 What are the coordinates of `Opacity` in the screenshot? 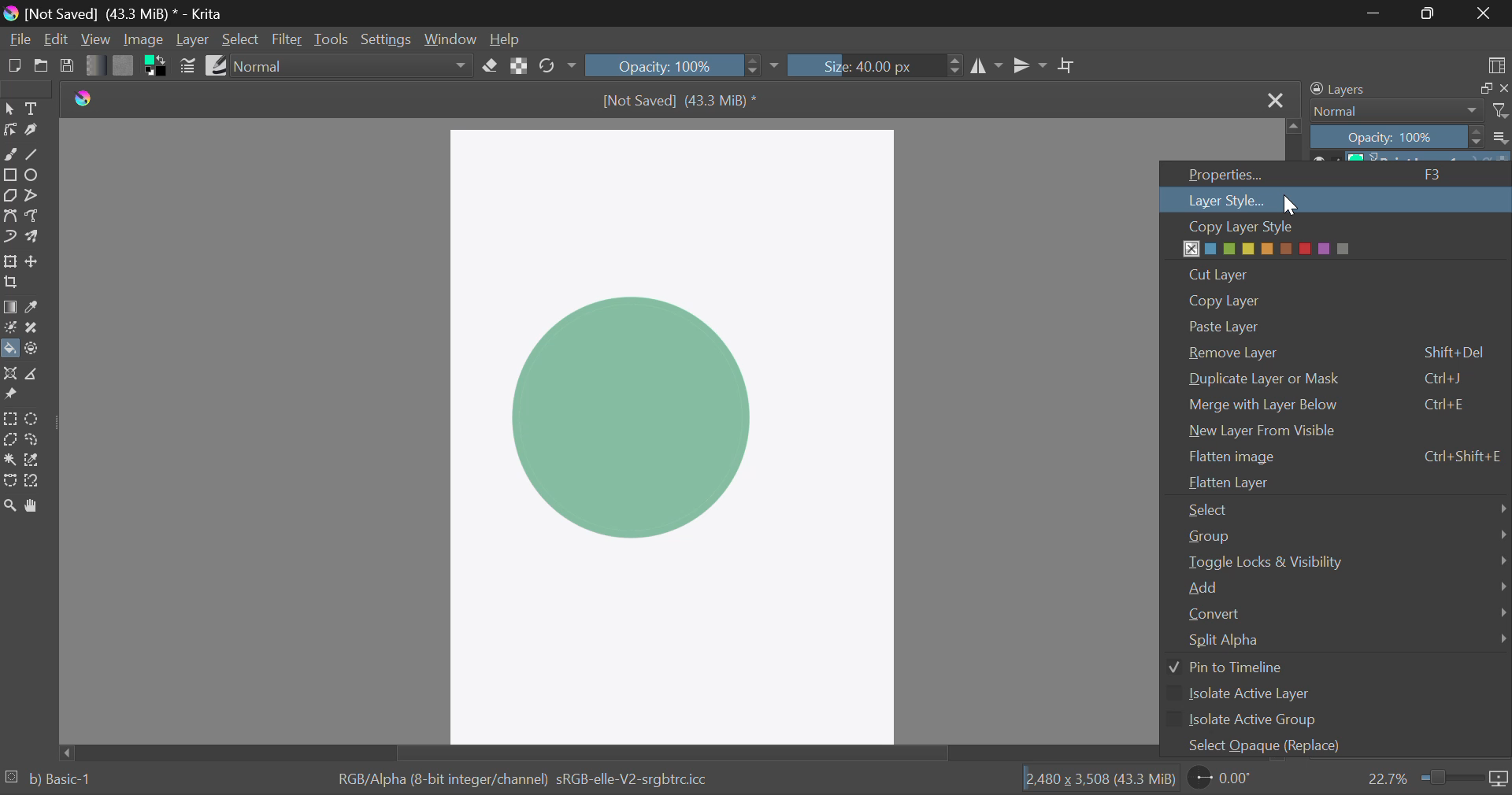 It's located at (1411, 138).